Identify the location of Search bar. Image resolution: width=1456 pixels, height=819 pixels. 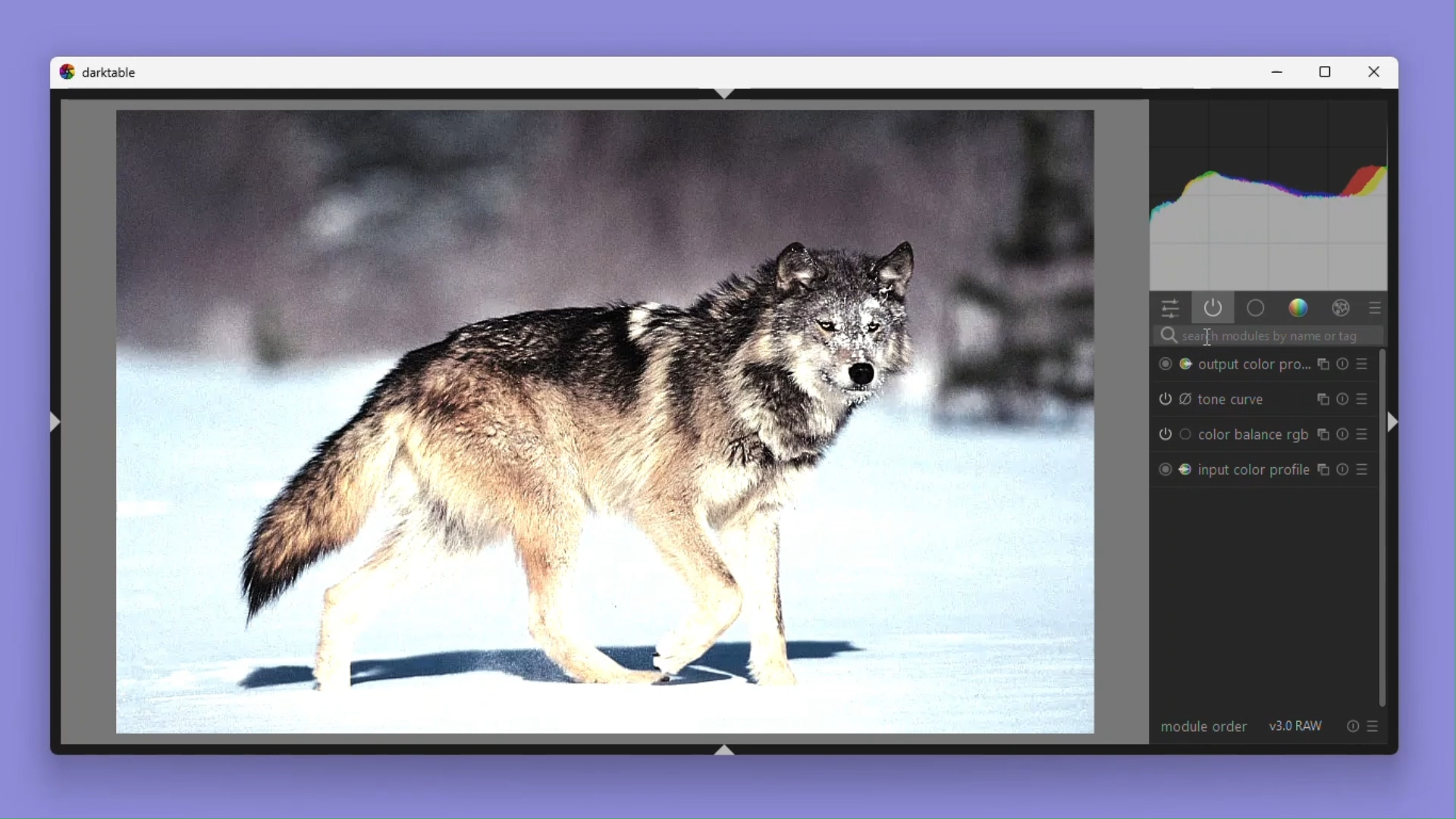
(1270, 337).